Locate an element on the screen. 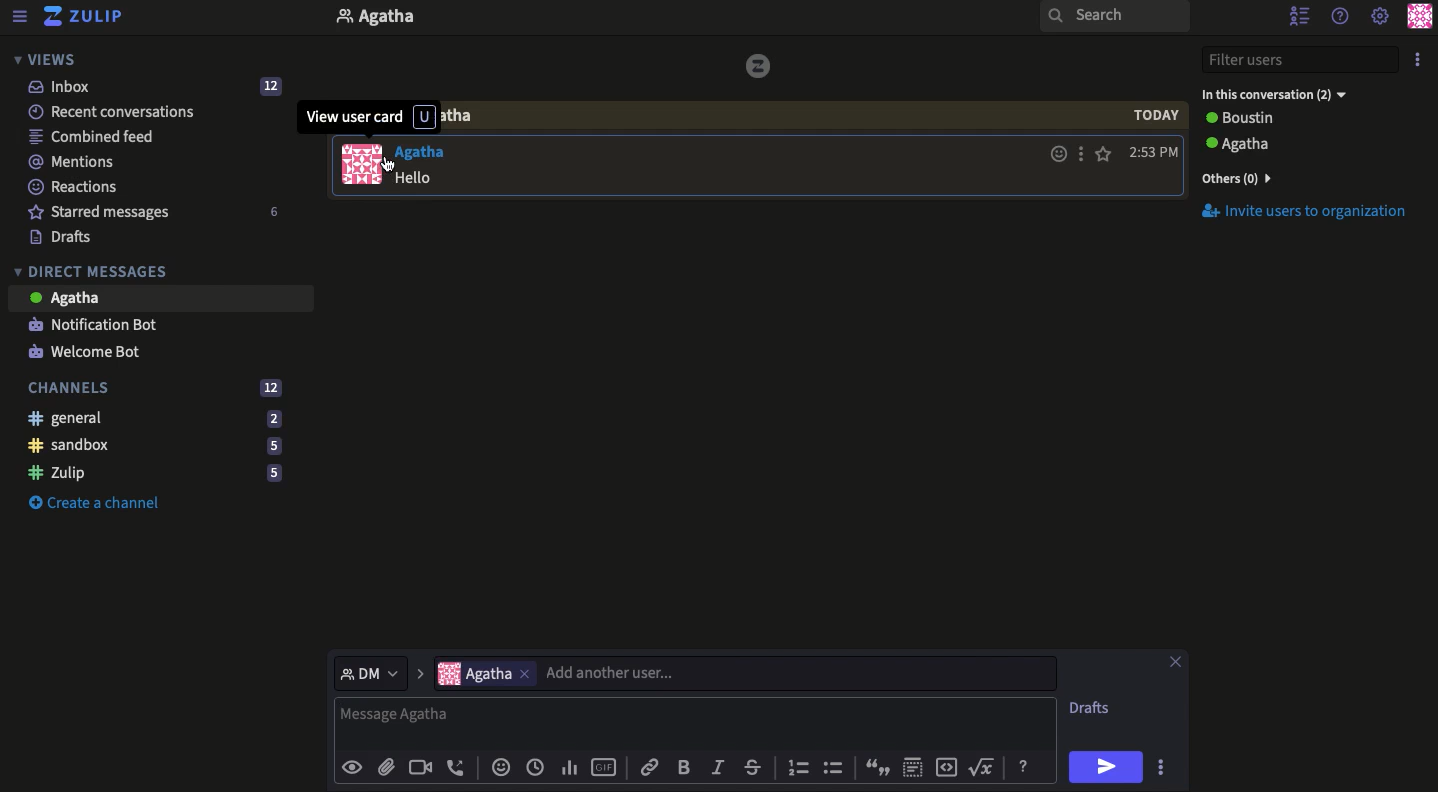 This screenshot has height=792, width=1438. Help is located at coordinates (1341, 15).